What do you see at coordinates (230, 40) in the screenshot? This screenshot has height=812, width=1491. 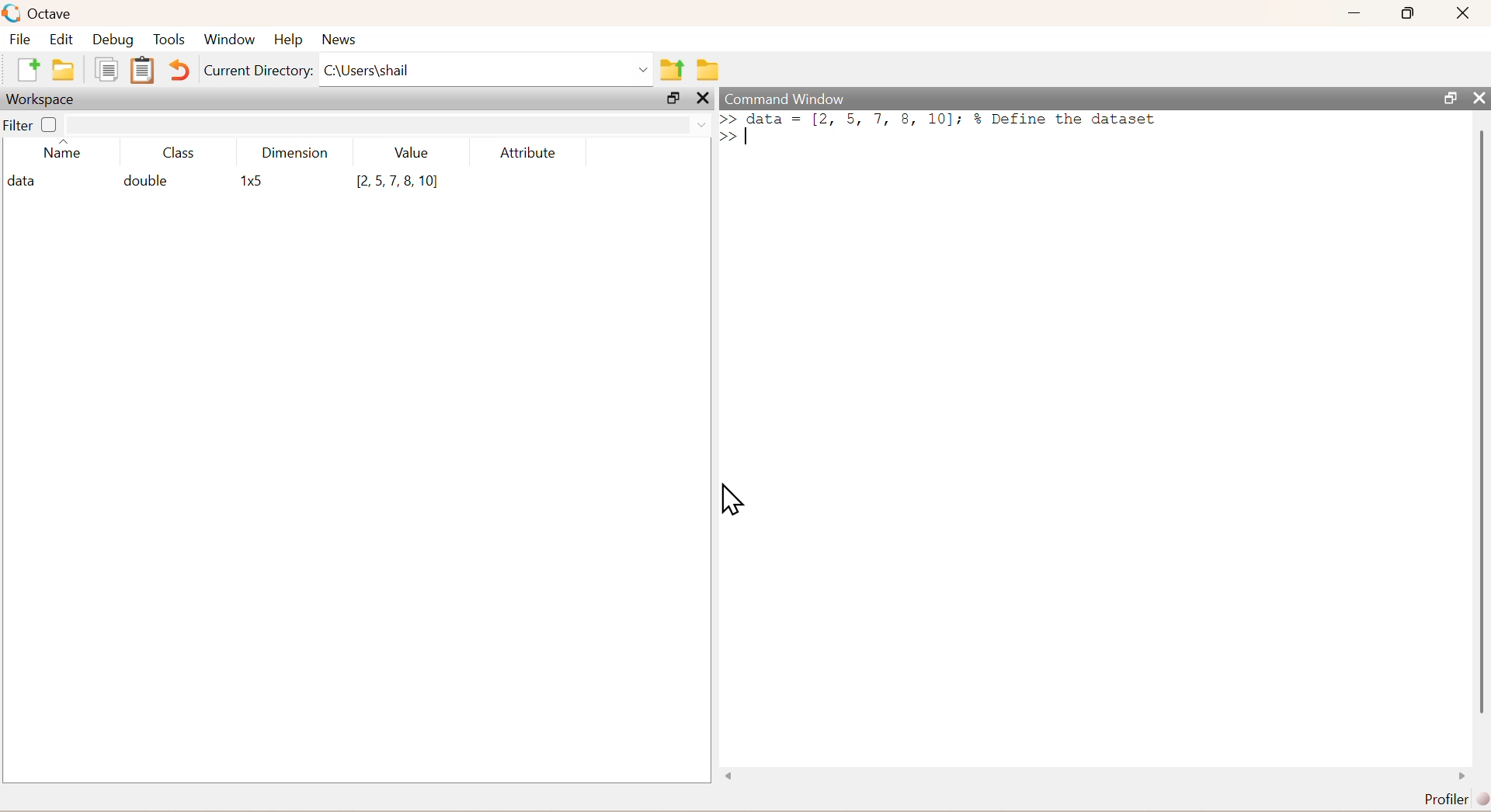 I see `window` at bounding box center [230, 40].